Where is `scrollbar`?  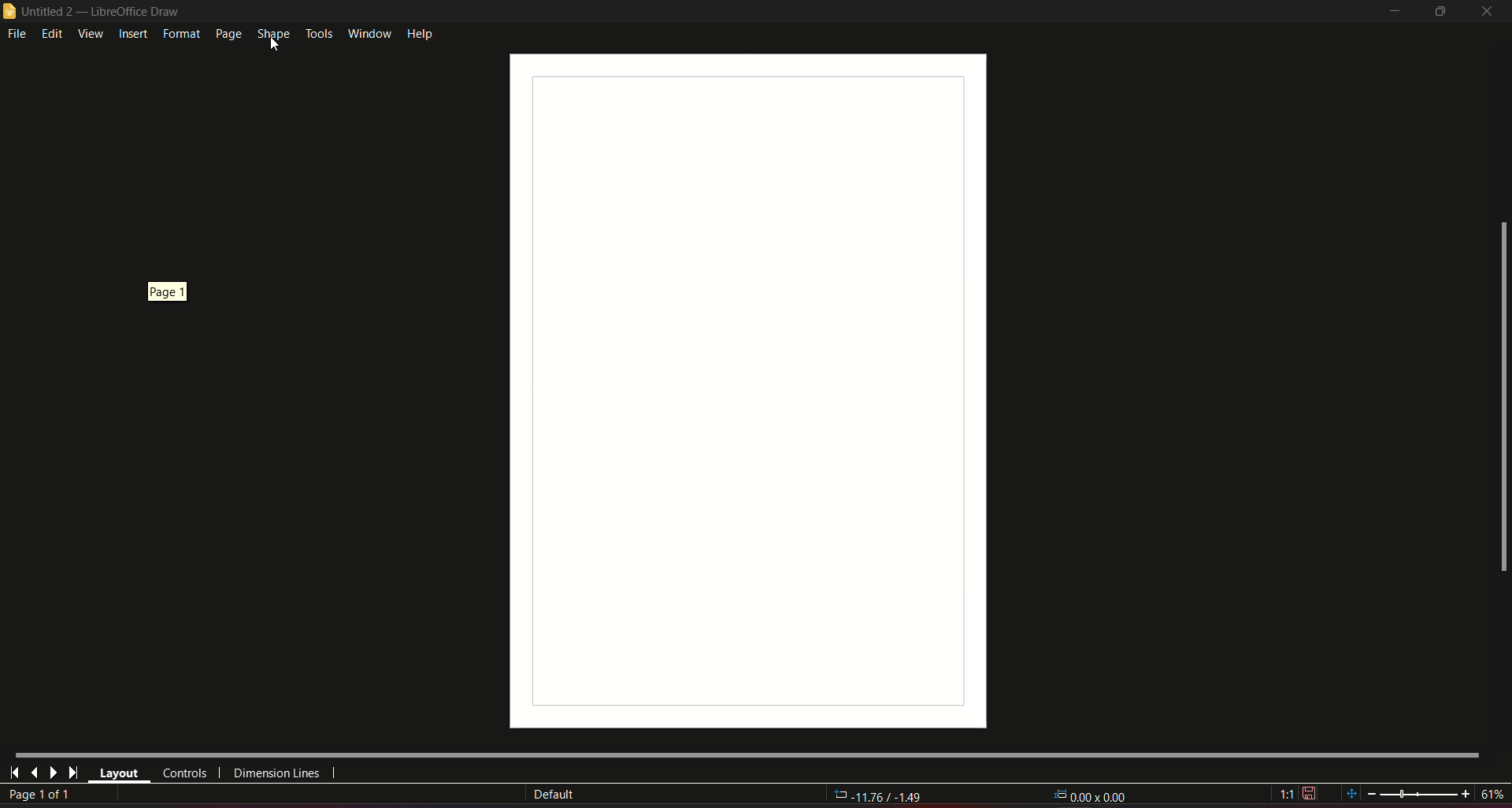 scrollbar is located at coordinates (1502, 398).